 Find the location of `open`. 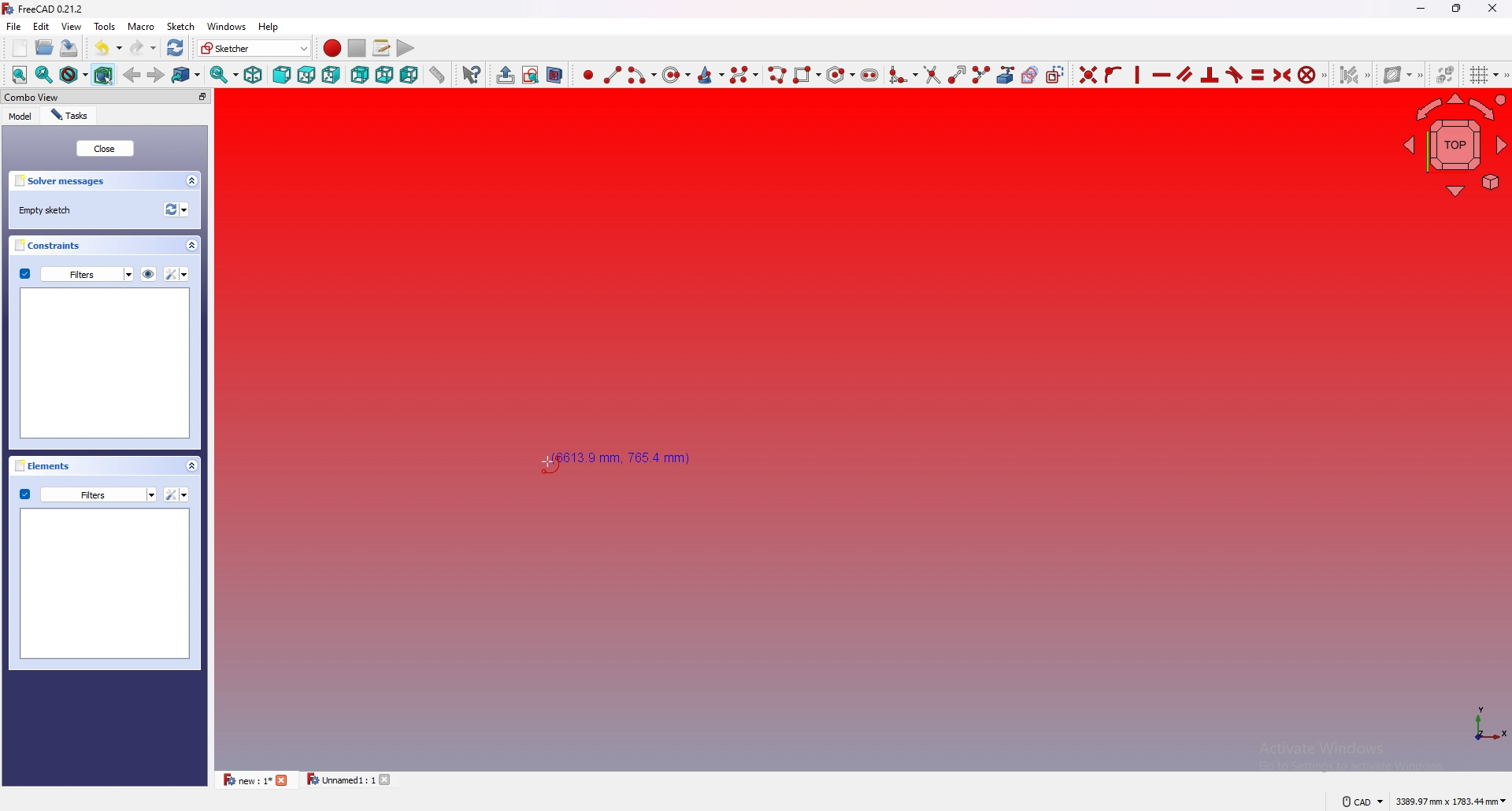

open is located at coordinates (45, 47).